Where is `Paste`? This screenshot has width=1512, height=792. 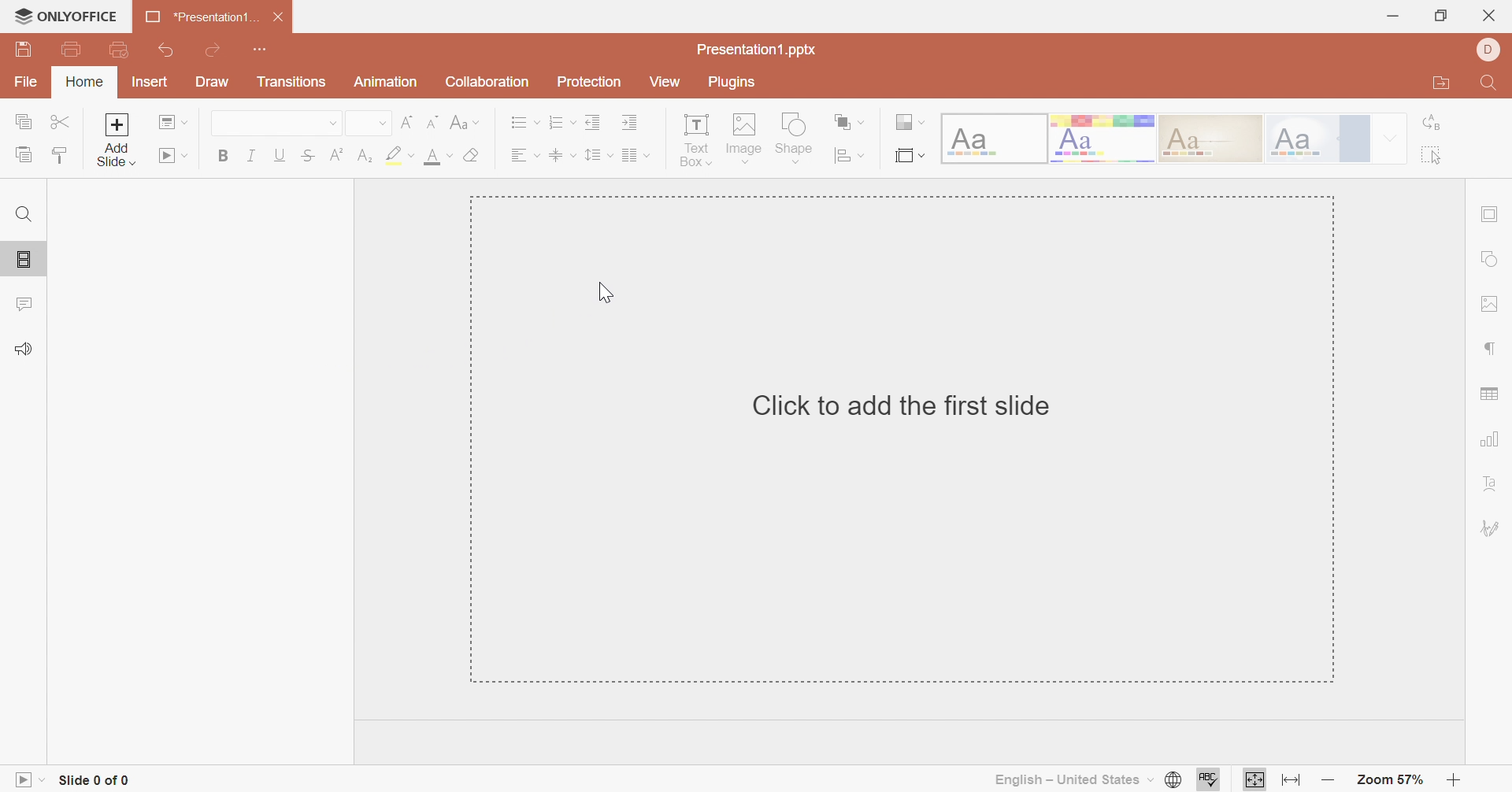 Paste is located at coordinates (21, 156).